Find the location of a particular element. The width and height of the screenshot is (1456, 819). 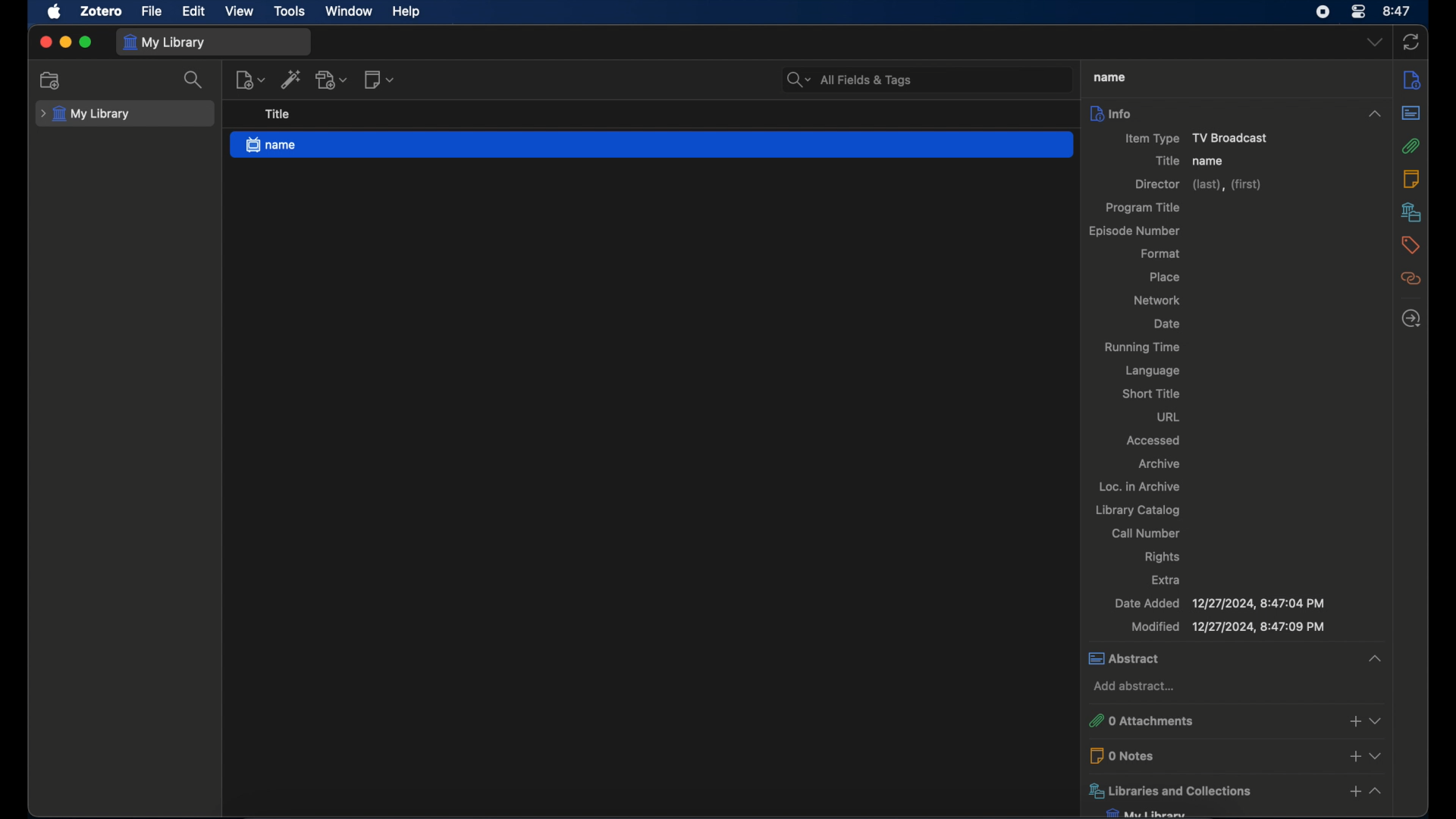

maximize is located at coordinates (86, 42).